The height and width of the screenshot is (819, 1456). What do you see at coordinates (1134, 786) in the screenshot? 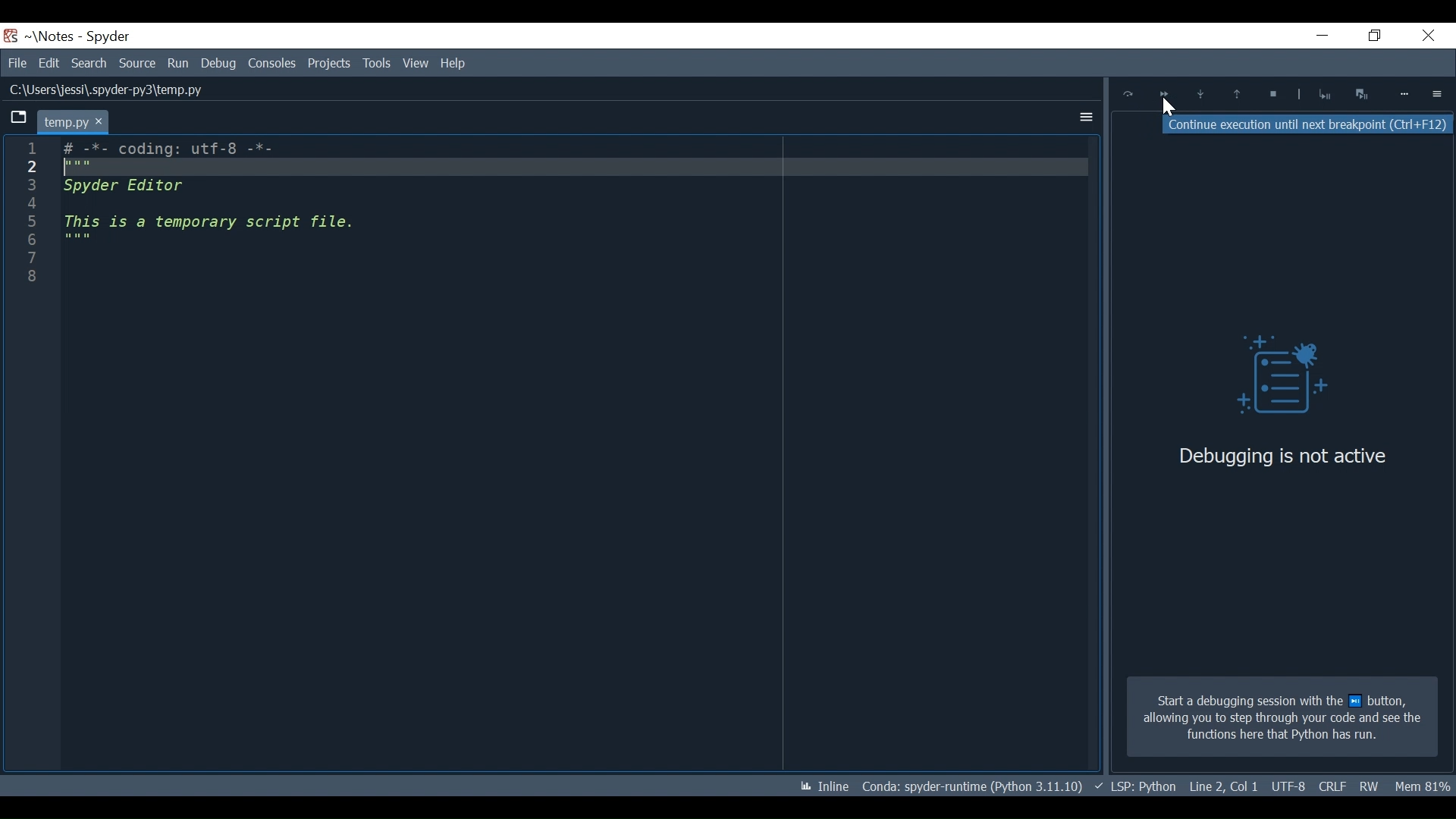
I see `Language` at bounding box center [1134, 786].